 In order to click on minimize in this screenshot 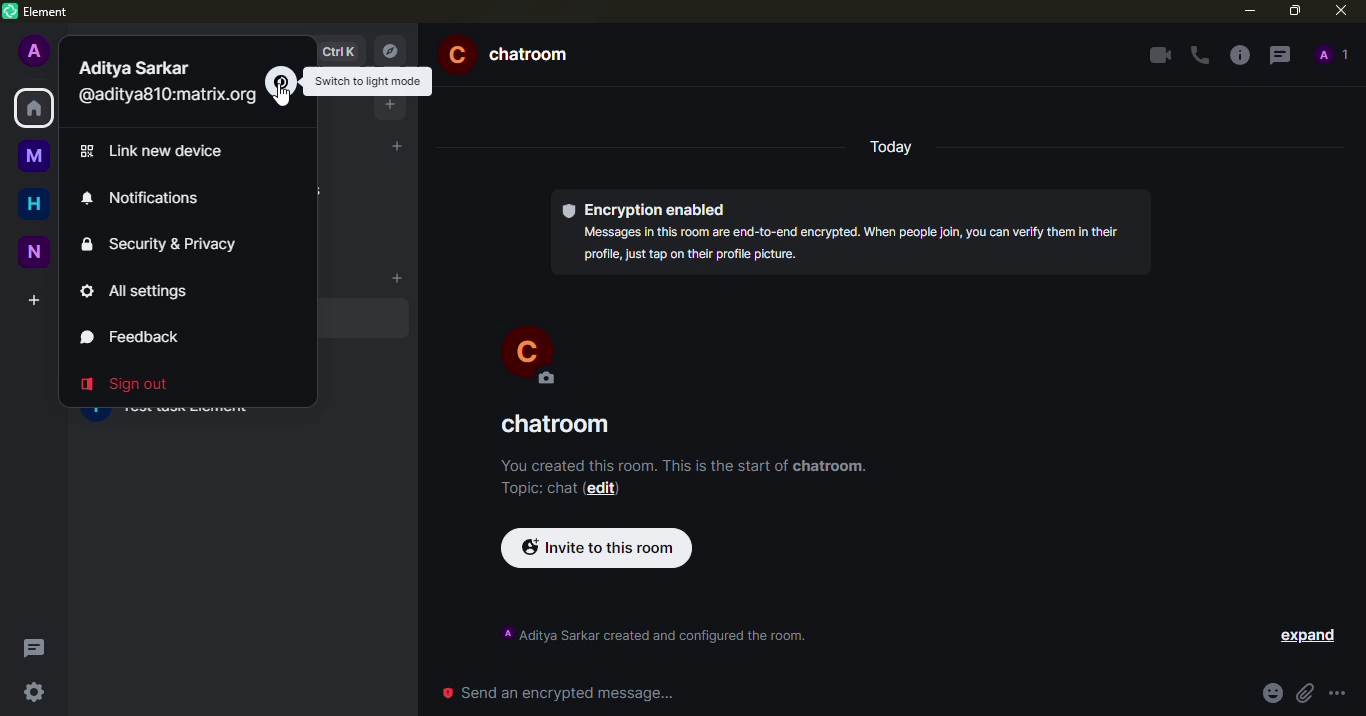, I will do `click(1244, 10)`.